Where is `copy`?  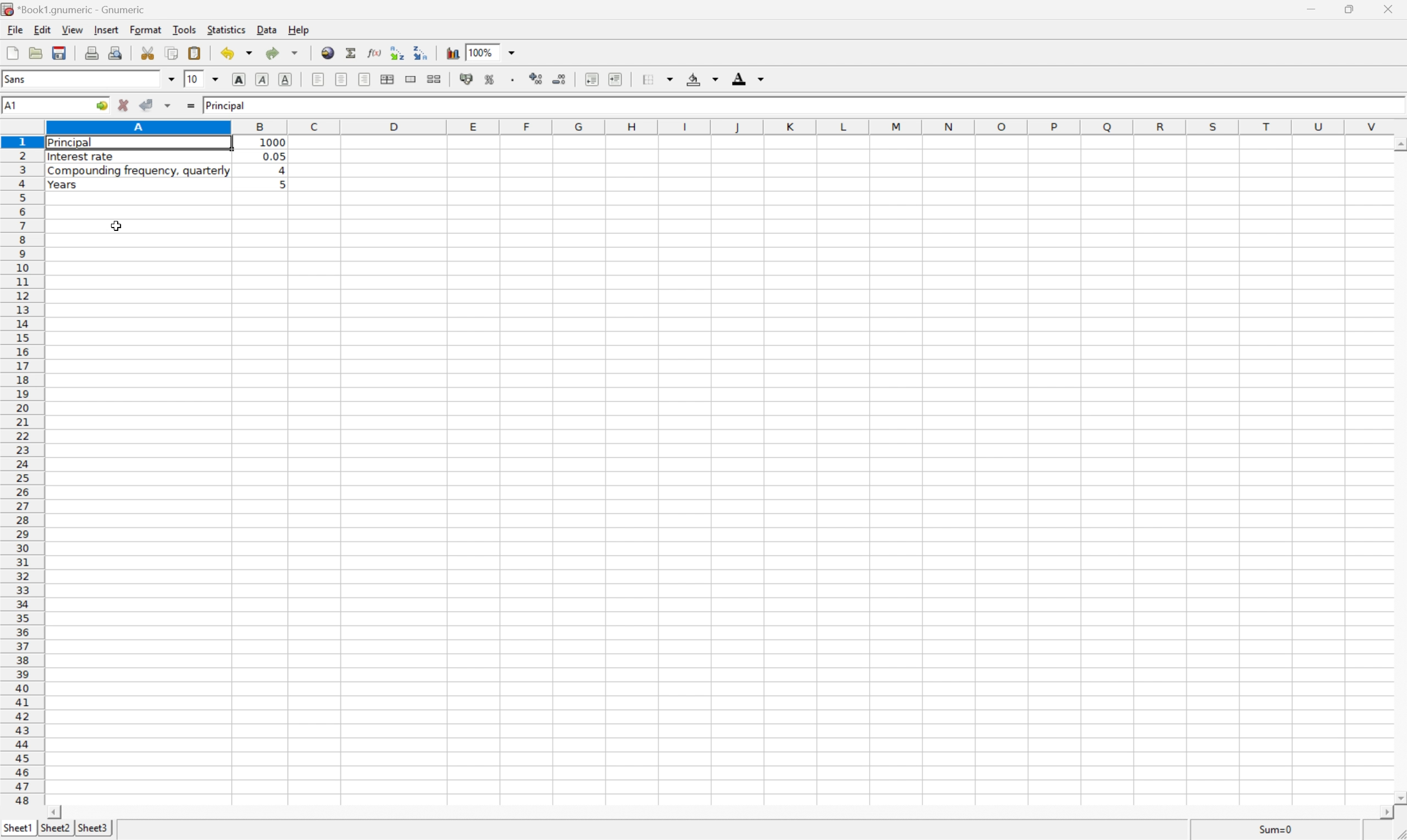
copy is located at coordinates (172, 52).